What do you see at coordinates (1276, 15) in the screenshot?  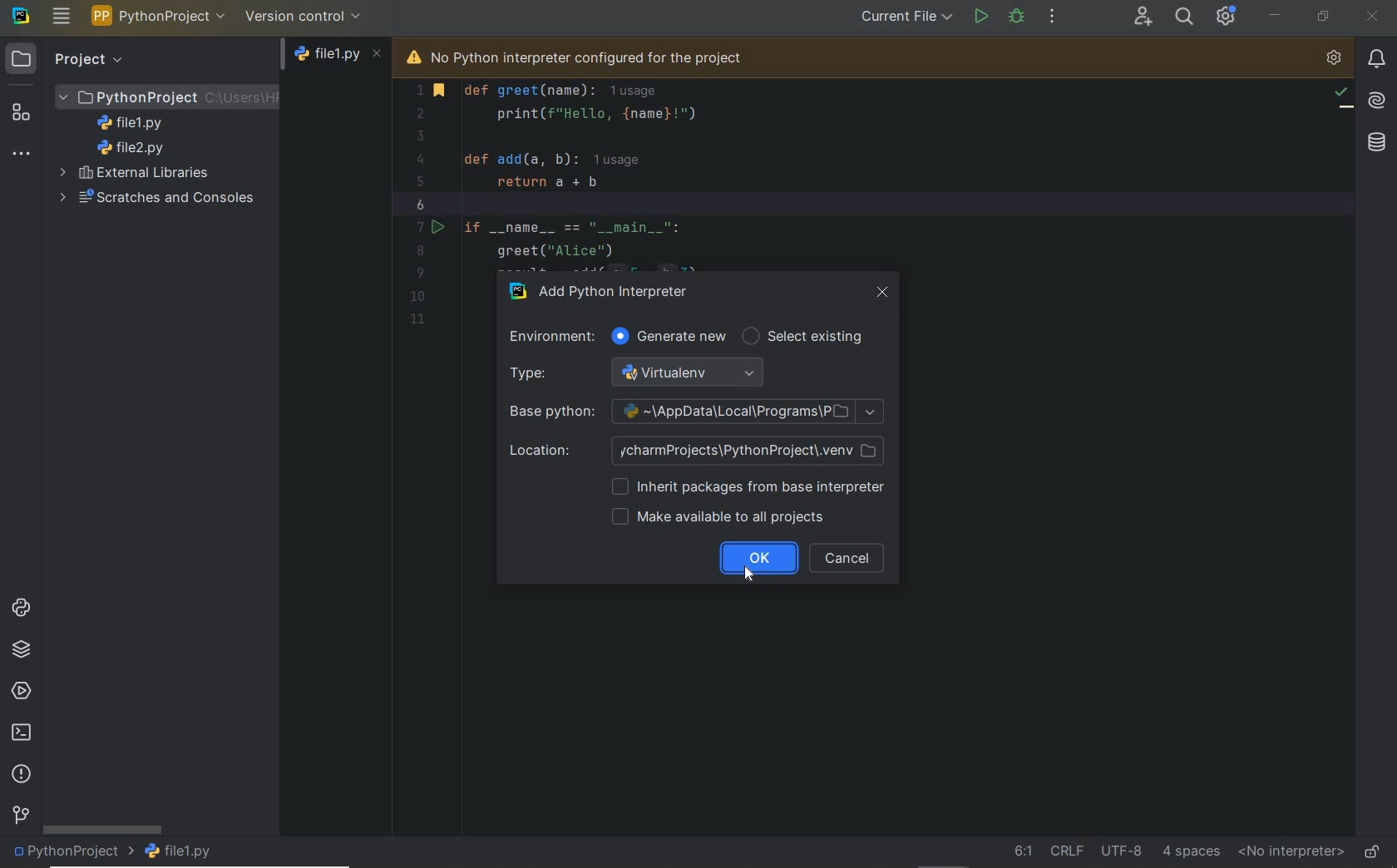 I see `MINIMIZE` at bounding box center [1276, 15].